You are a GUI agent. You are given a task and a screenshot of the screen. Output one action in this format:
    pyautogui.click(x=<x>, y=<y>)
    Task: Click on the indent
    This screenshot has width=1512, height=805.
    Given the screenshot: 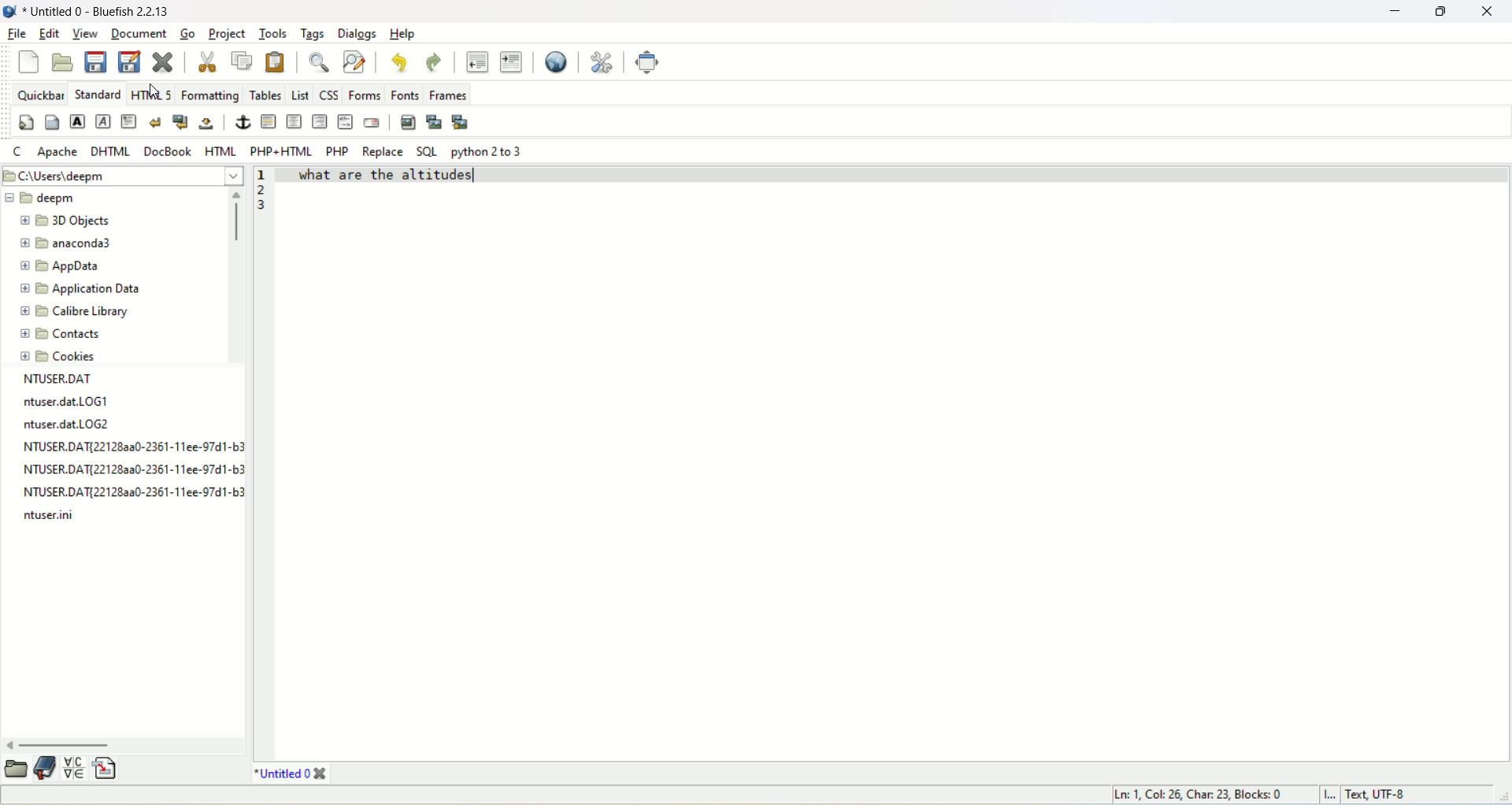 What is the action you would take?
    pyautogui.click(x=510, y=62)
    